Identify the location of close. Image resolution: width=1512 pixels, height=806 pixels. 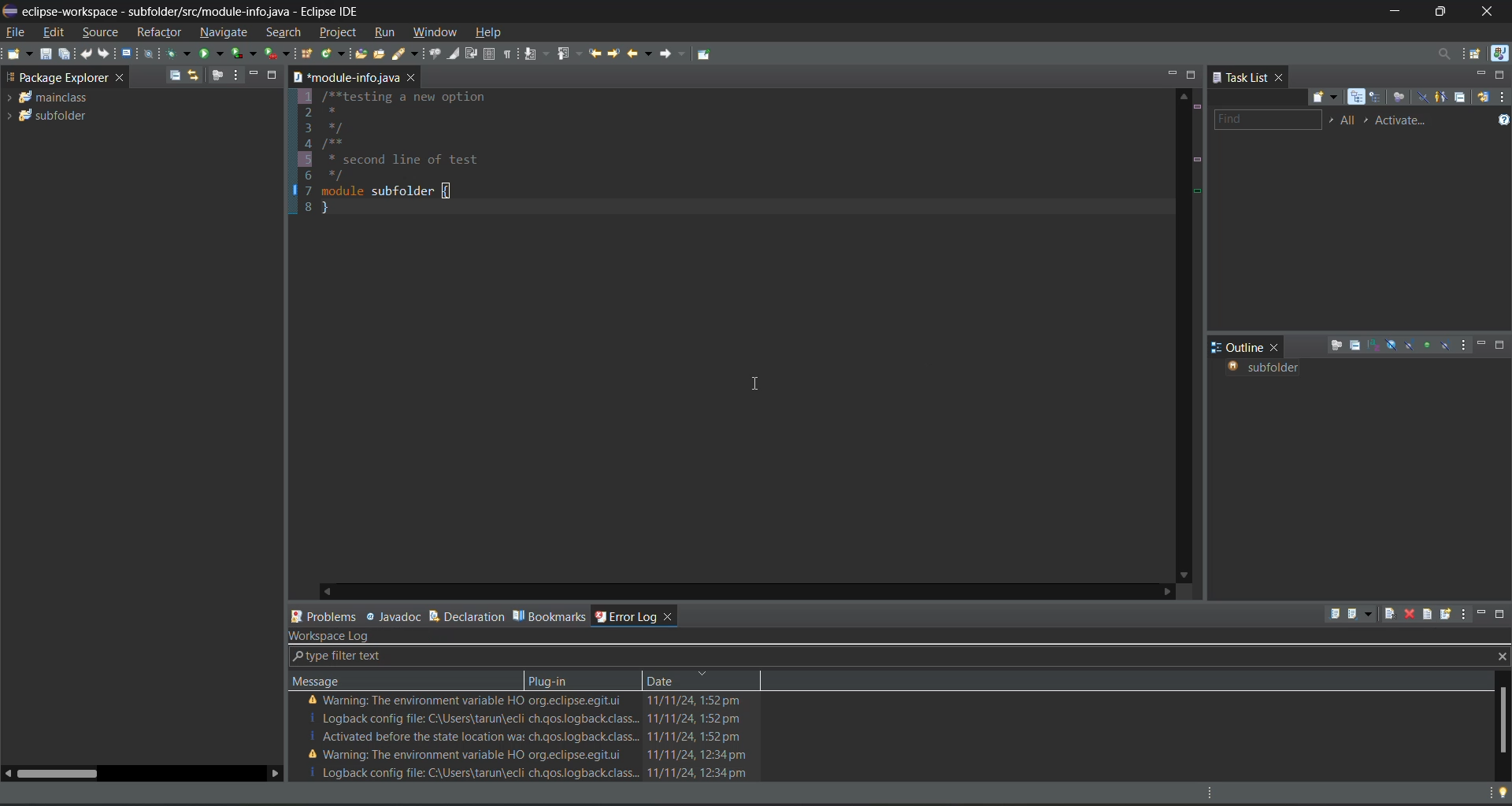
(411, 78).